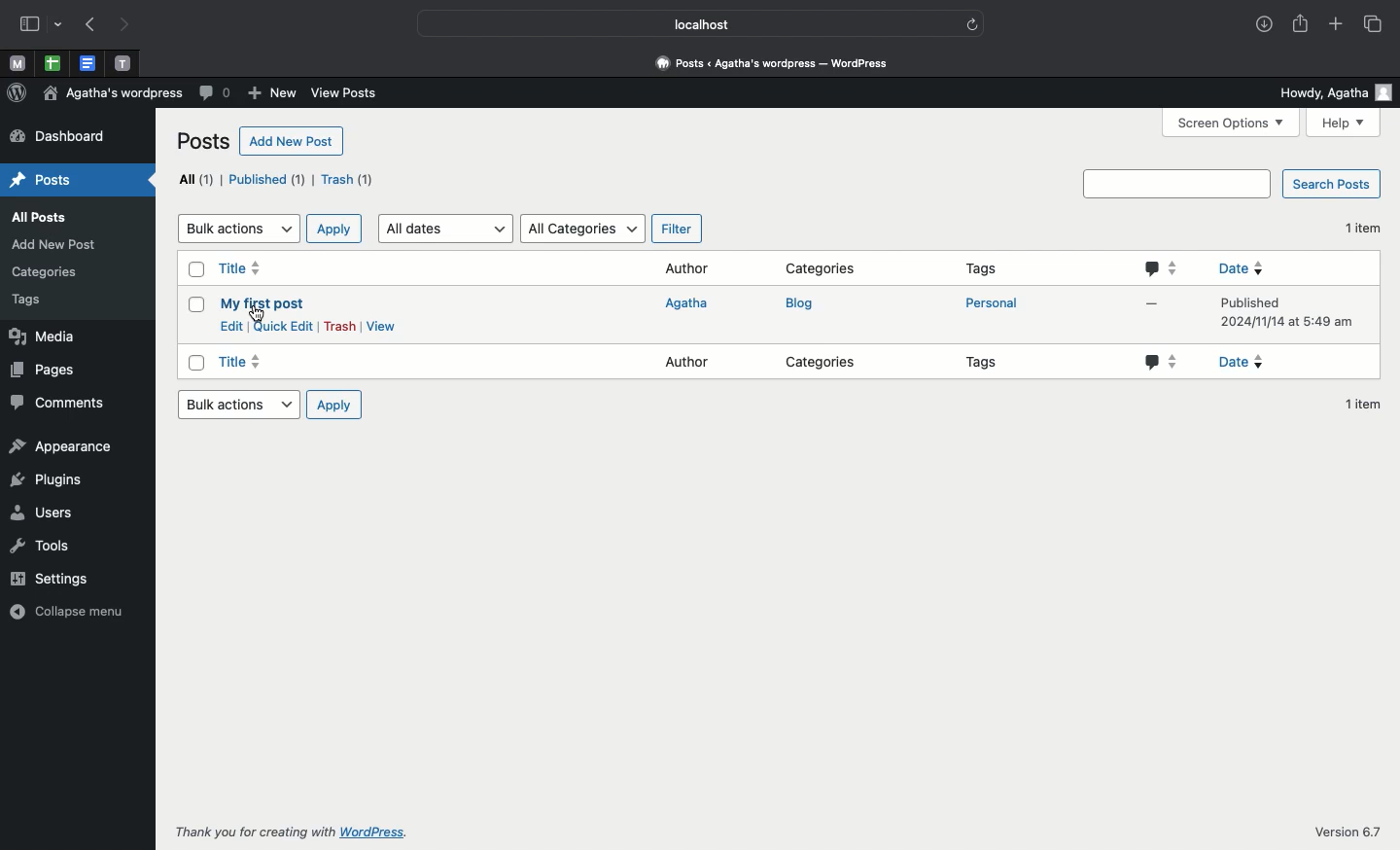 This screenshot has width=1400, height=850. I want to click on Trash, so click(338, 326).